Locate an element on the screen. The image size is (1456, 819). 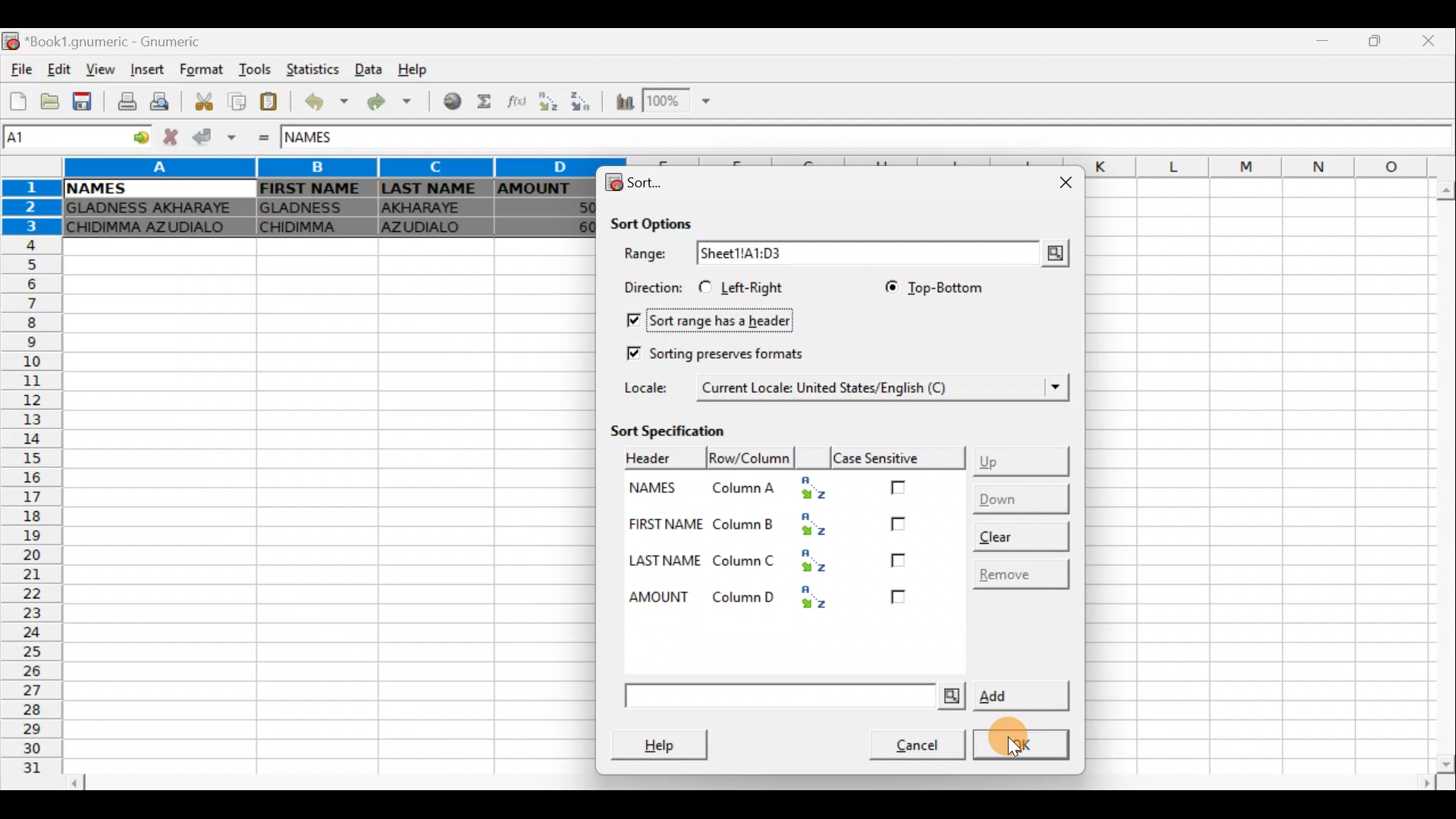
Sort Ascending order is located at coordinates (547, 102).